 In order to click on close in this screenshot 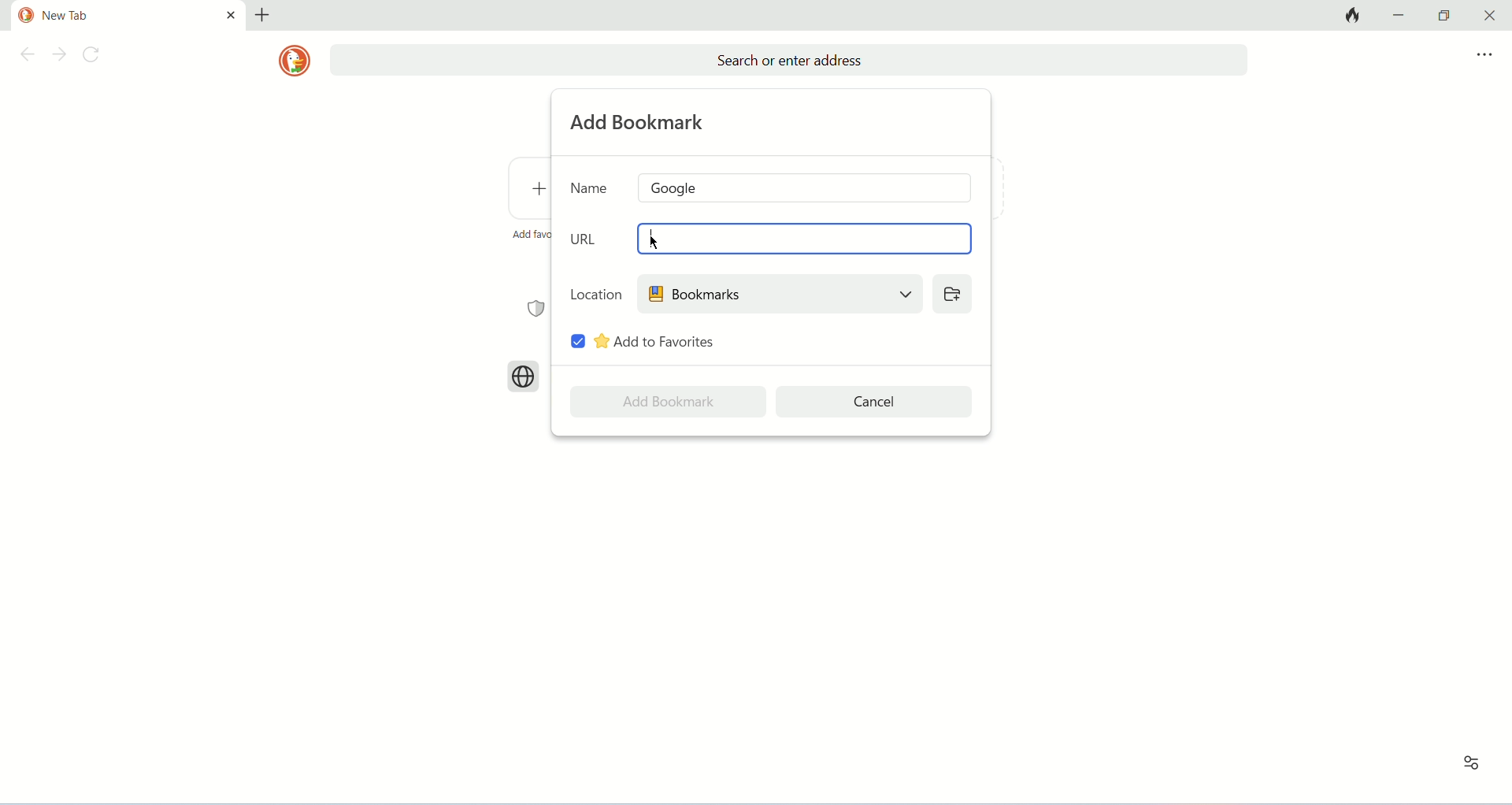, I will do `click(1486, 16)`.